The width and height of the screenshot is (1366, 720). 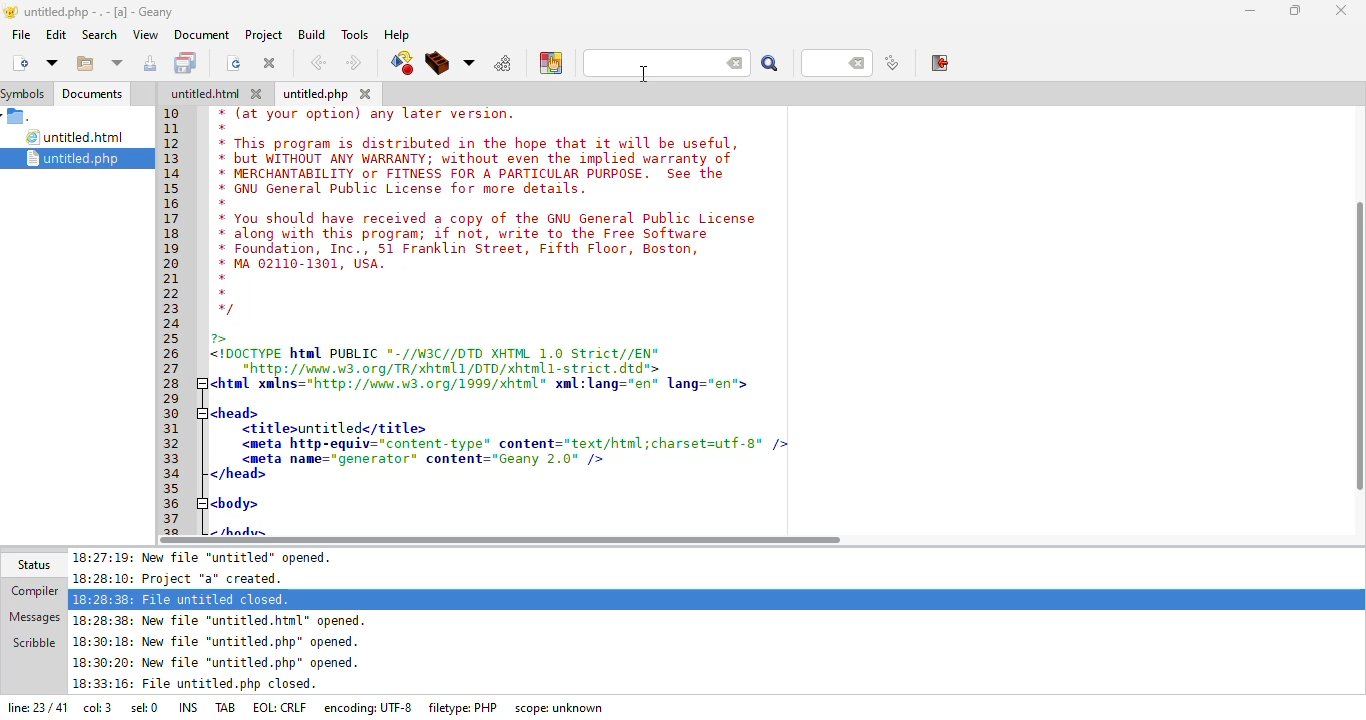 What do you see at coordinates (188, 578) in the screenshot?
I see `18:28:10: project "a" created.` at bounding box center [188, 578].